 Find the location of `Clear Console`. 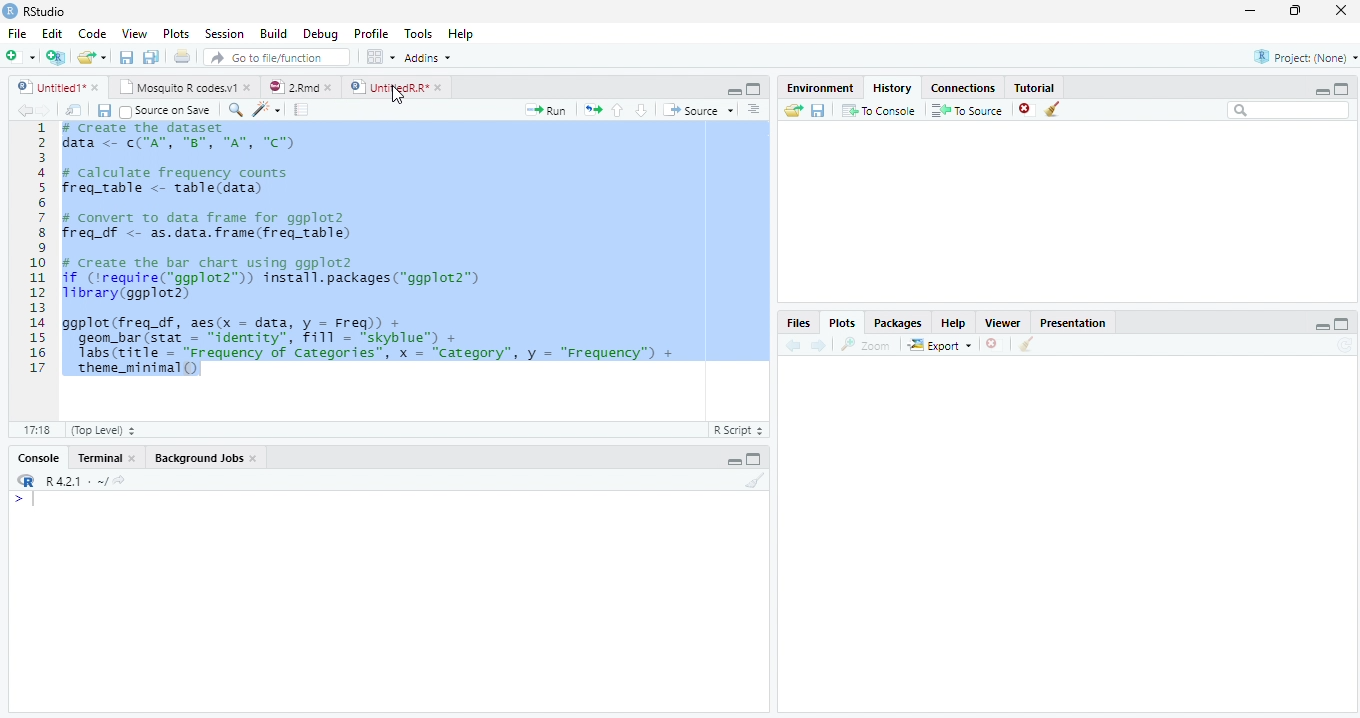

Clear Console is located at coordinates (1027, 344).